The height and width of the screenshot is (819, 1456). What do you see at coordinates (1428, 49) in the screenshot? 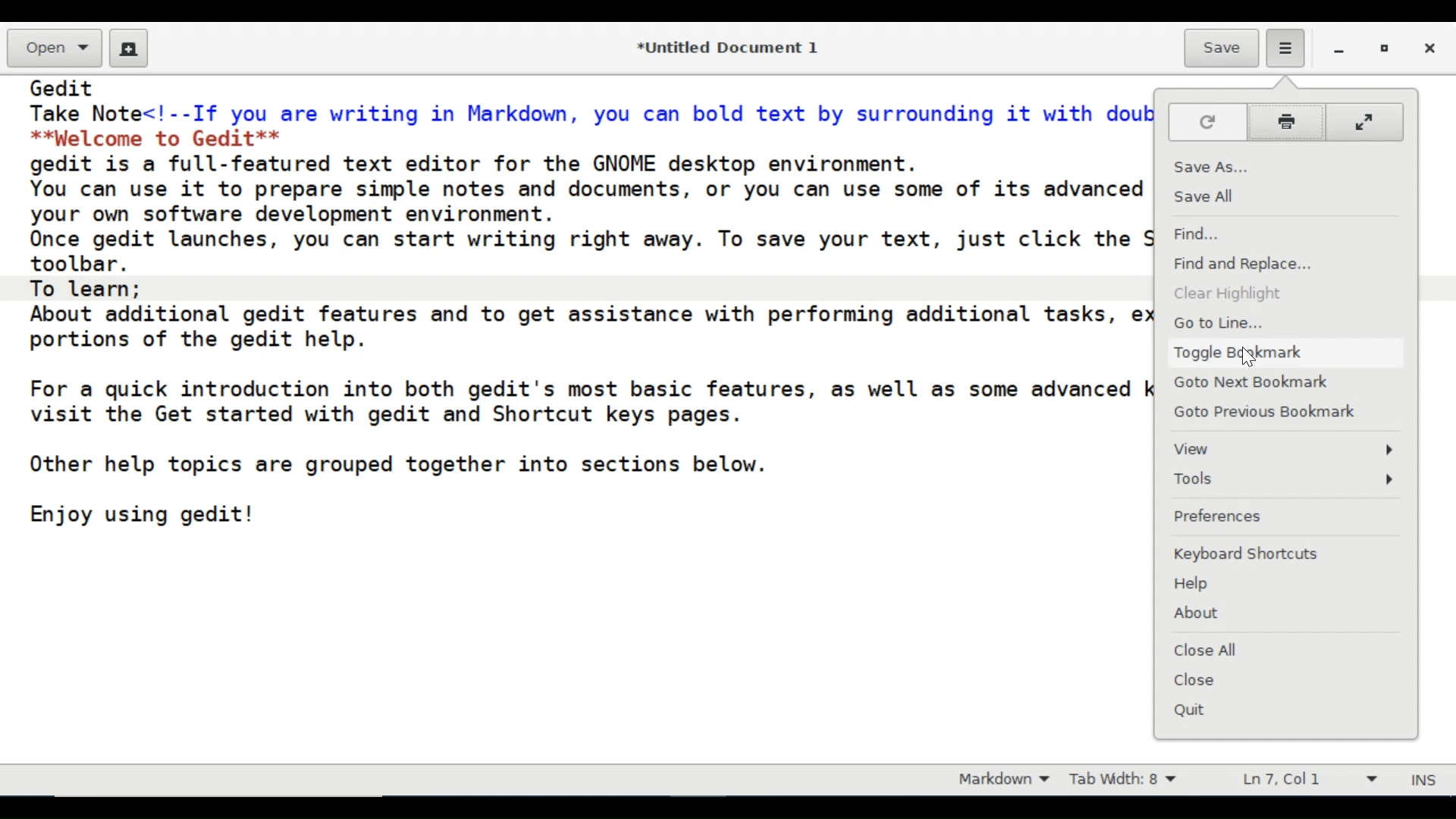
I see `Close` at bounding box center [1428, 49].